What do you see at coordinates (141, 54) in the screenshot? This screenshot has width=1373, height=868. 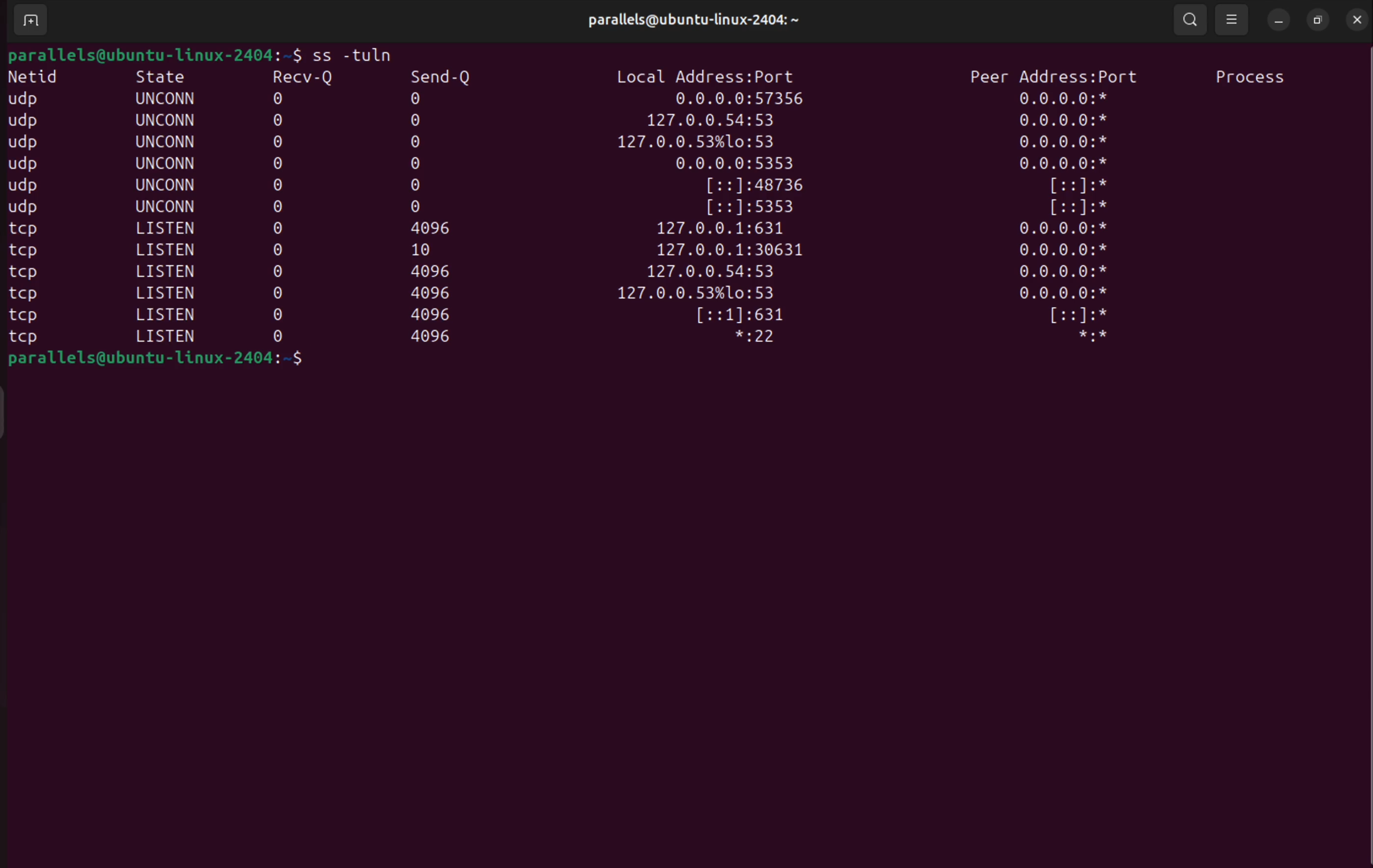 I see `bash prompt` at bounding box center [141, 54].